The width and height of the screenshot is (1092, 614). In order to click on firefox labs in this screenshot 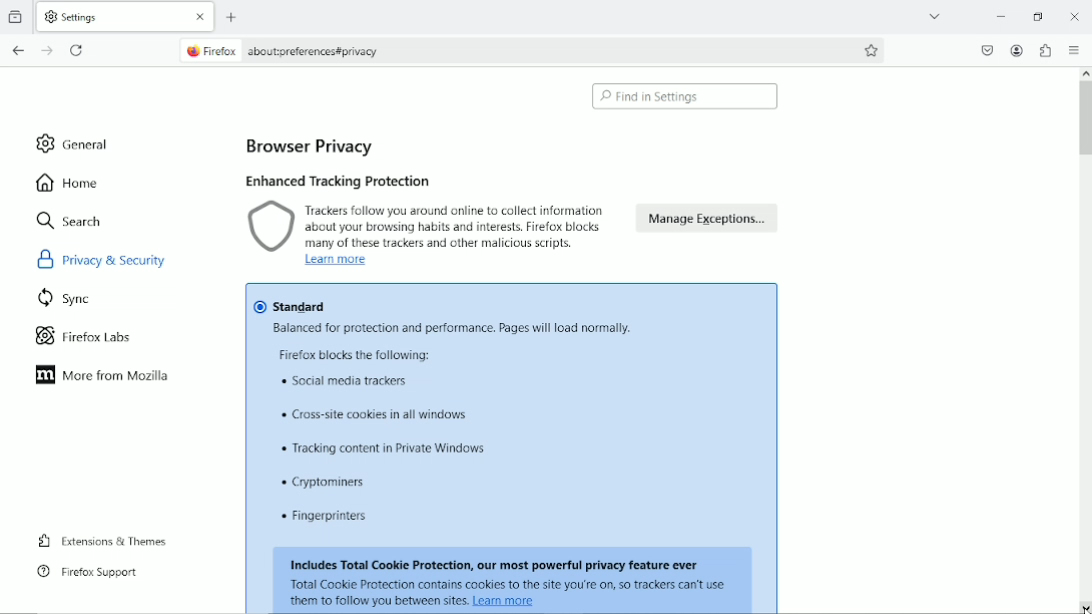, I will do `click(81, 337)`.